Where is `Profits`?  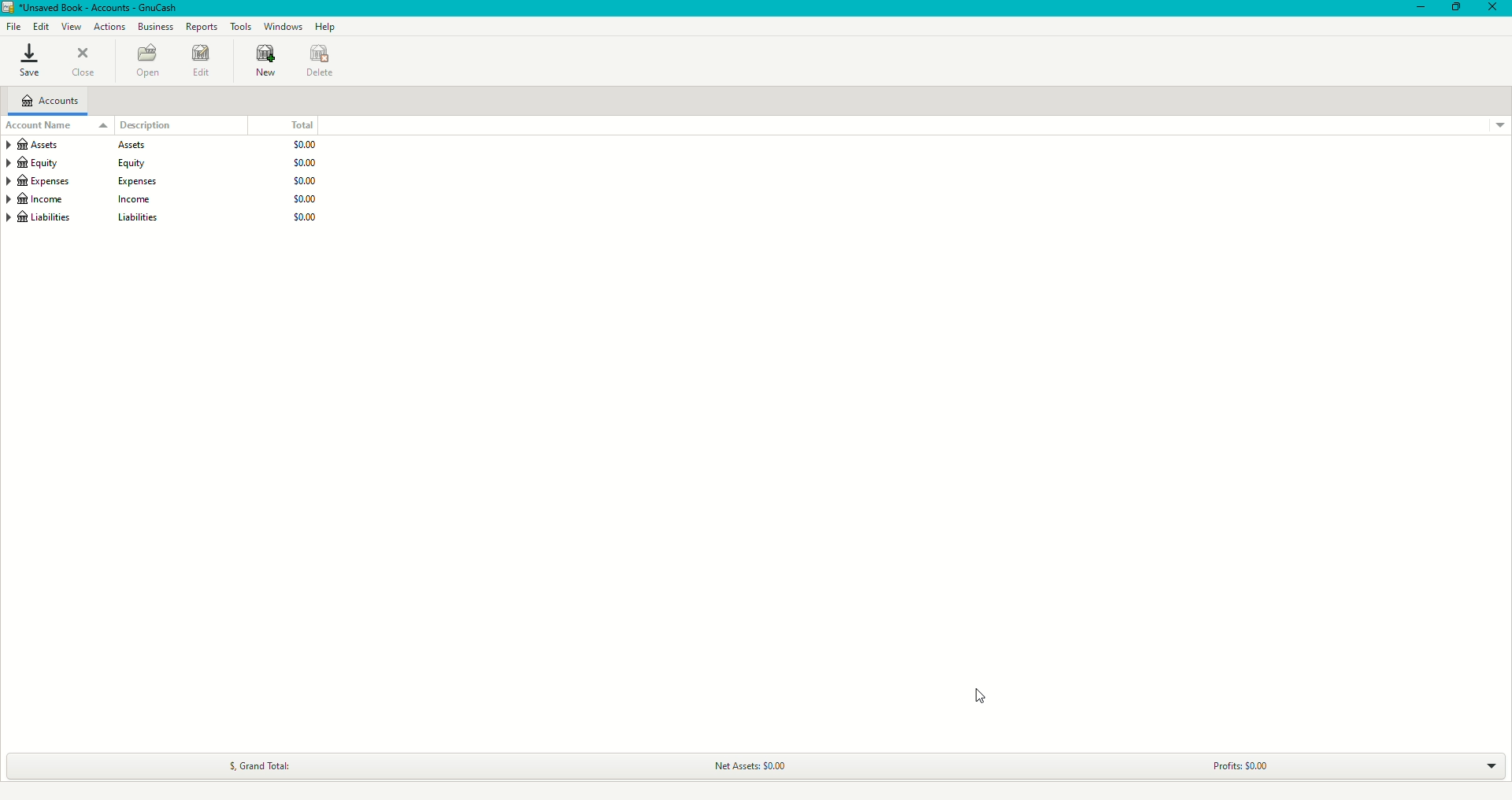
Profits is located at coordinates (1237, 761).